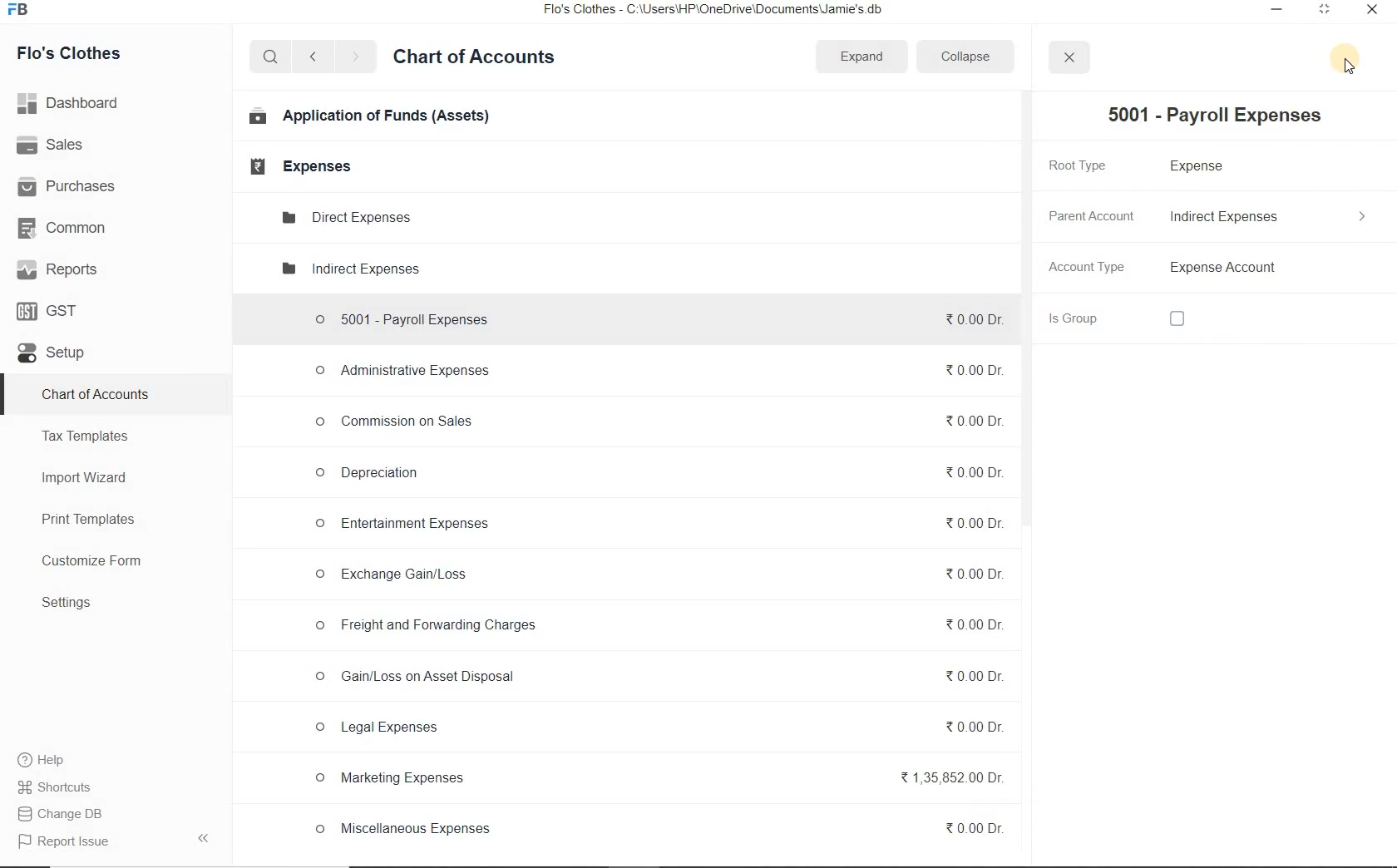 Image resolution: width=1397 pixels, height=868 pixels. Describe the element at coordinates (1068, 57) in the screenshot. I see `close` at that location.